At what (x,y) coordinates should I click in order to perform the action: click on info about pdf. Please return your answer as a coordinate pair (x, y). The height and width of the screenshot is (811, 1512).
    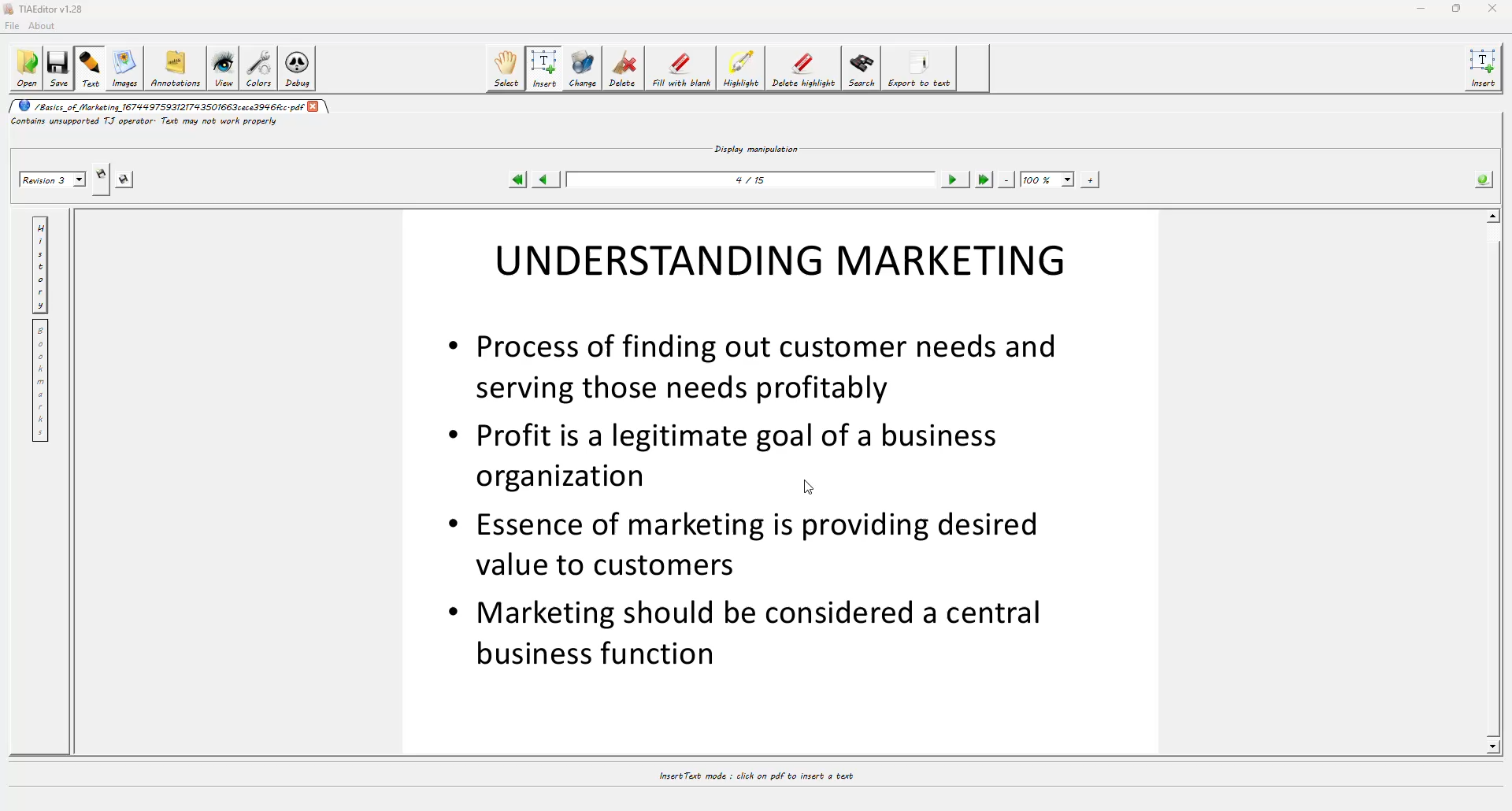
    Looking at the image, I should click on (1484, 178).